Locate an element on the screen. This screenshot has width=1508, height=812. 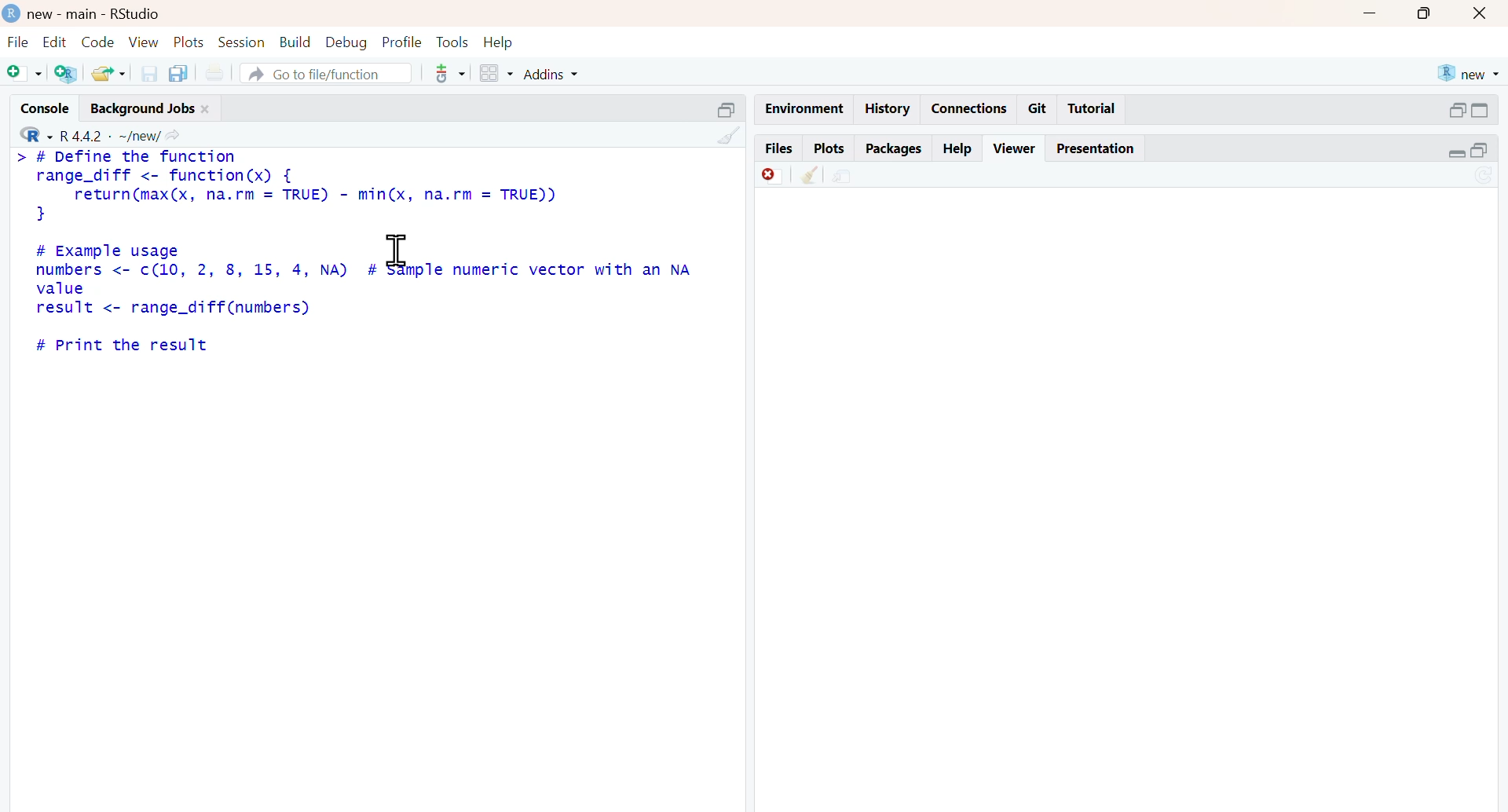
packages is located at coordinates (894, 150).